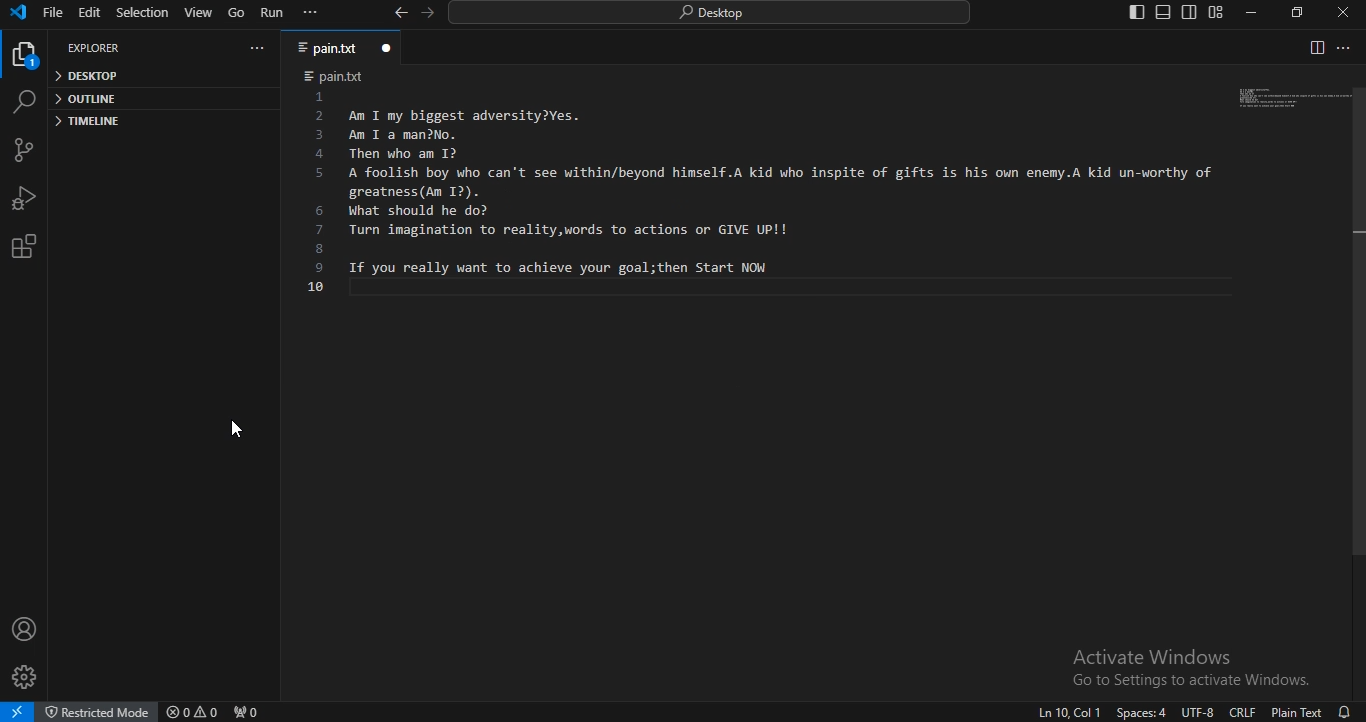  I want to click on search, so click(714, 15).